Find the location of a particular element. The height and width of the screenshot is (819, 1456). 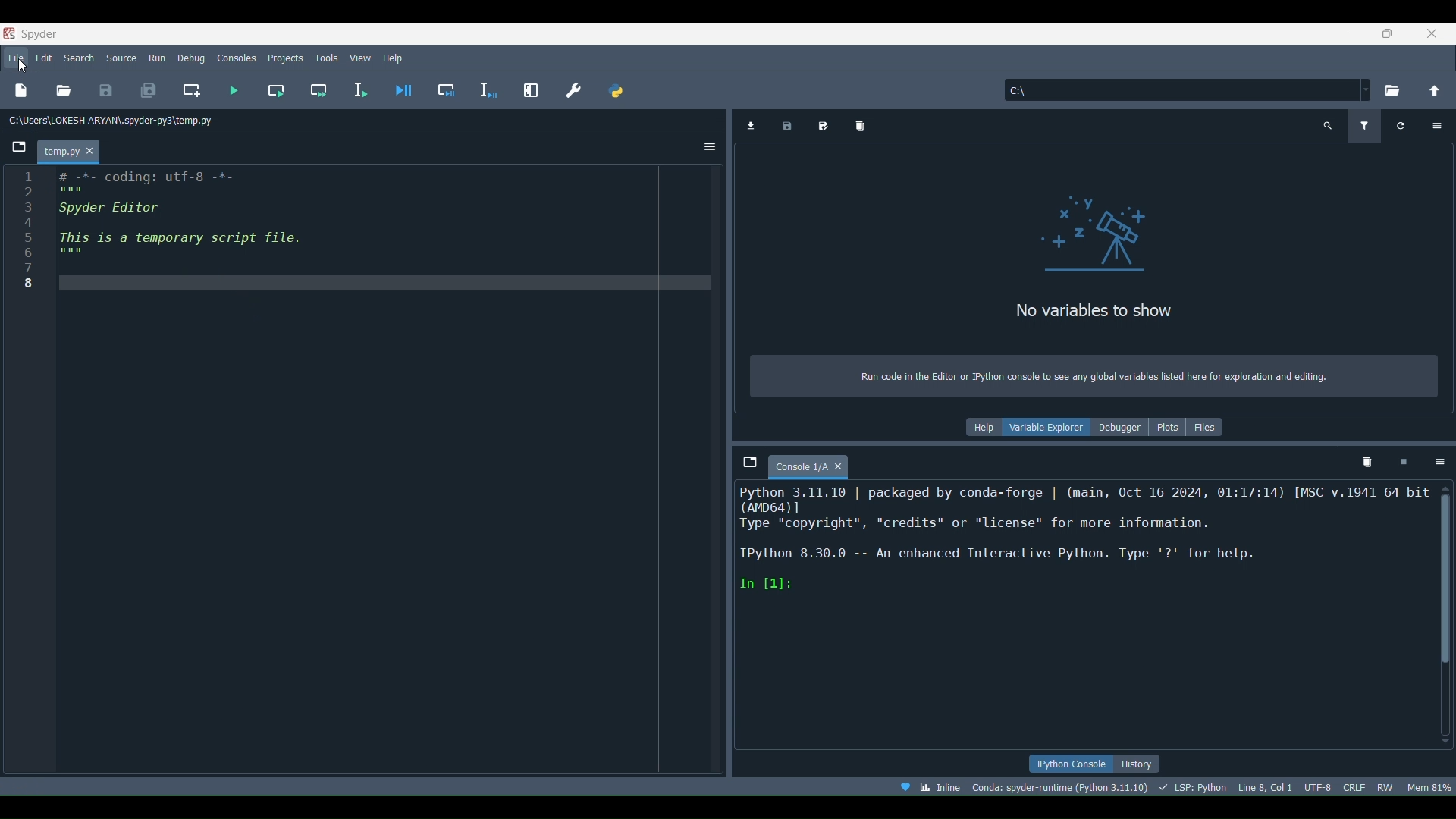

Remove all variables from namespace is located at coordinates (1366, 460).